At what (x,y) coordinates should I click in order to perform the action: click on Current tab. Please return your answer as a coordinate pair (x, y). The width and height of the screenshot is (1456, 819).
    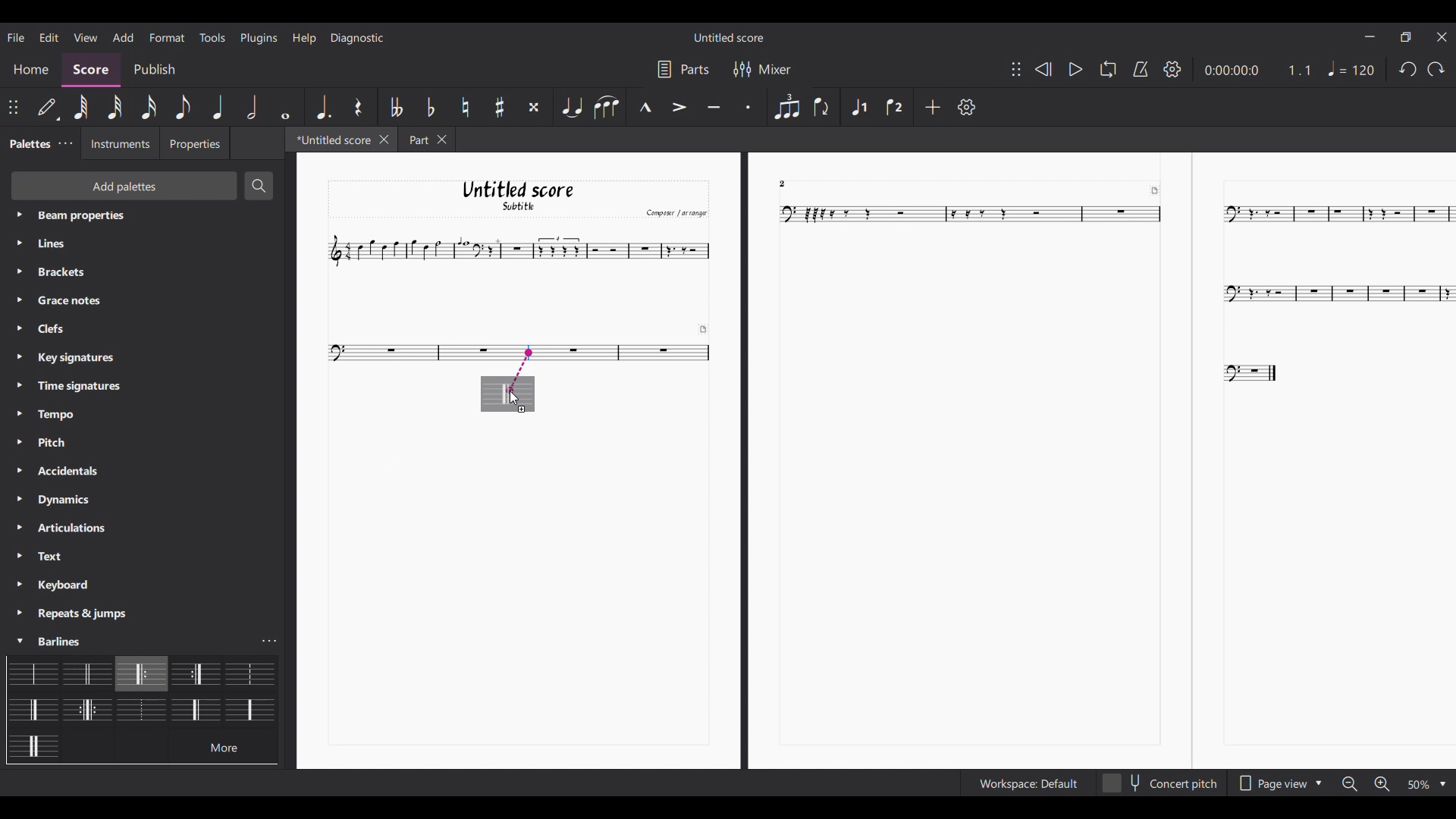
    Looking at the image, I should click on (329, 139).